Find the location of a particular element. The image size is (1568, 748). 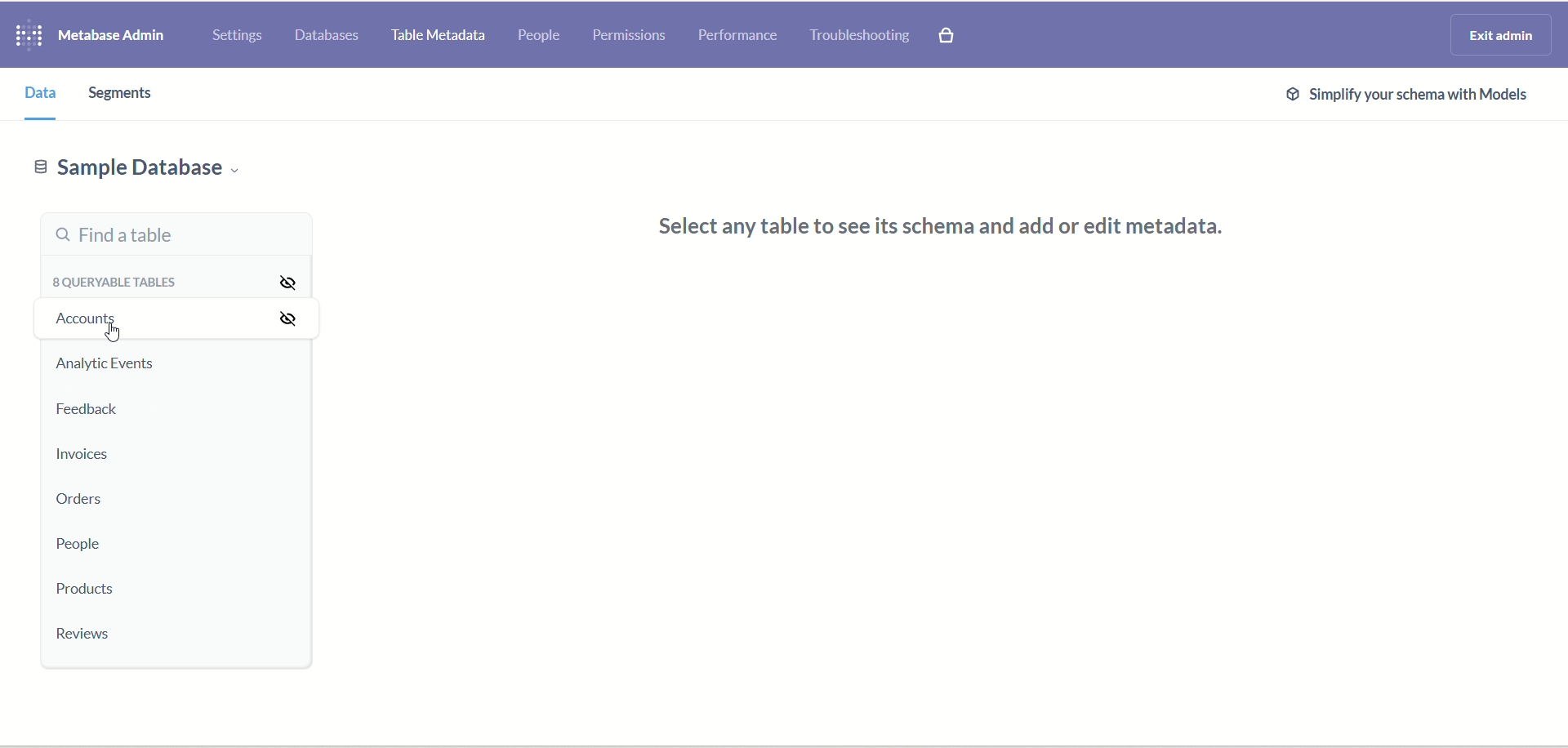

troubleshooting is located at coordinates (864, 38).